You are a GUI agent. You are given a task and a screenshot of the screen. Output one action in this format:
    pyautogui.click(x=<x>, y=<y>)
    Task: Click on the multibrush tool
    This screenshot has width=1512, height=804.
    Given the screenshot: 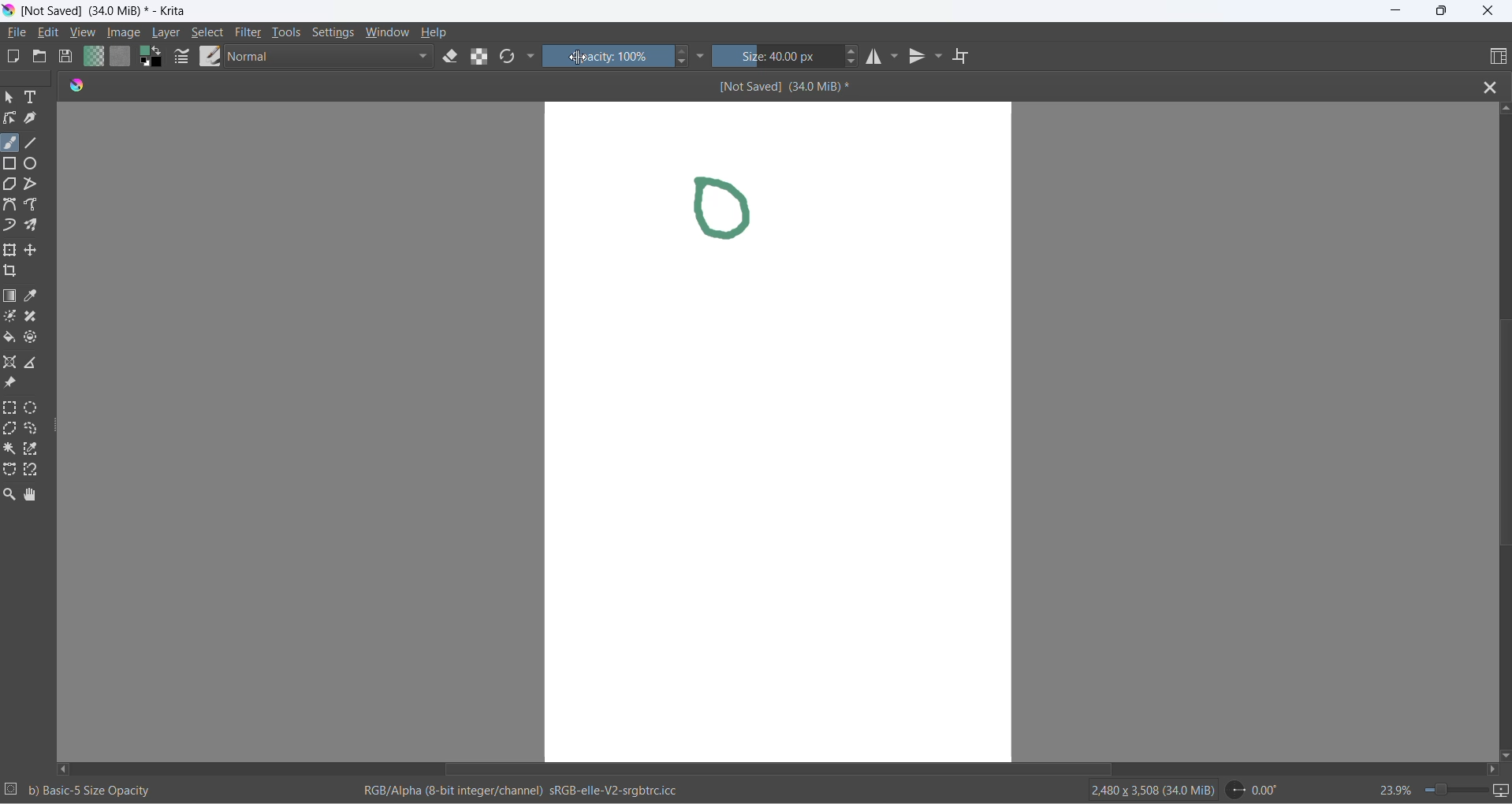 What is the action you would take?
    pyautogui.click(x=39, y=226)
    